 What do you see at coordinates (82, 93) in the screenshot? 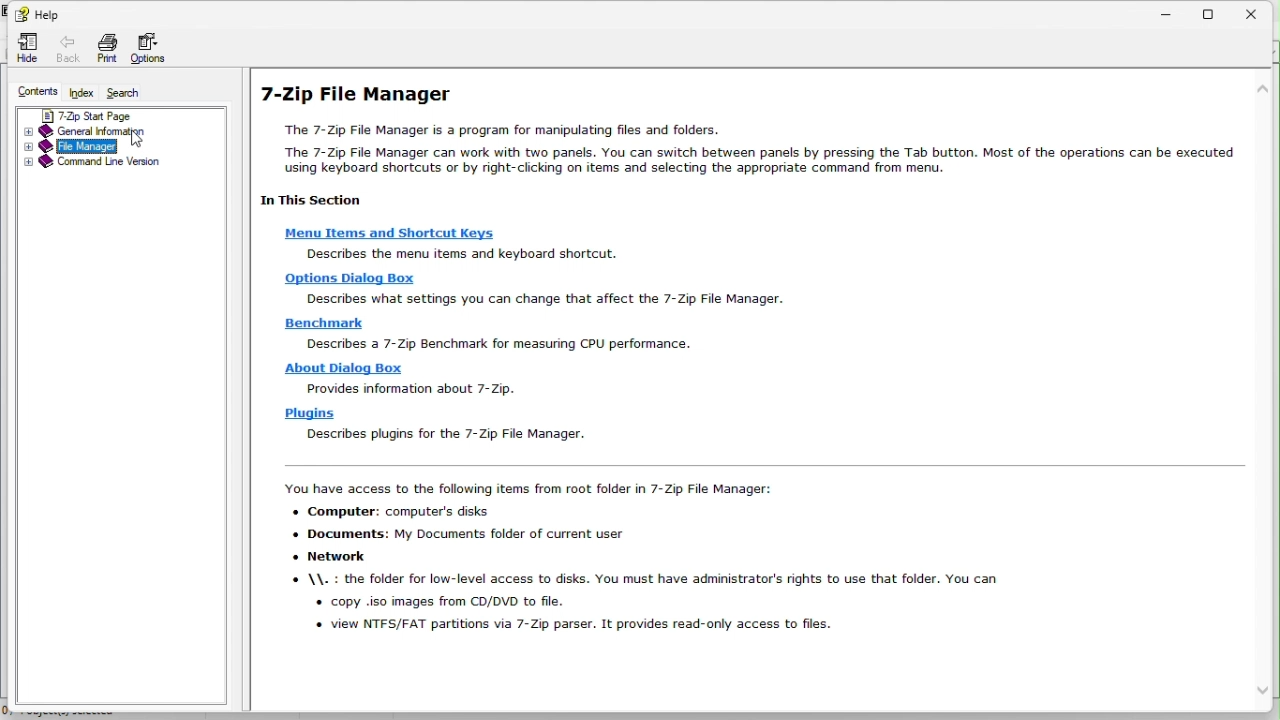
I see `index` at bounding box center [82, 93].